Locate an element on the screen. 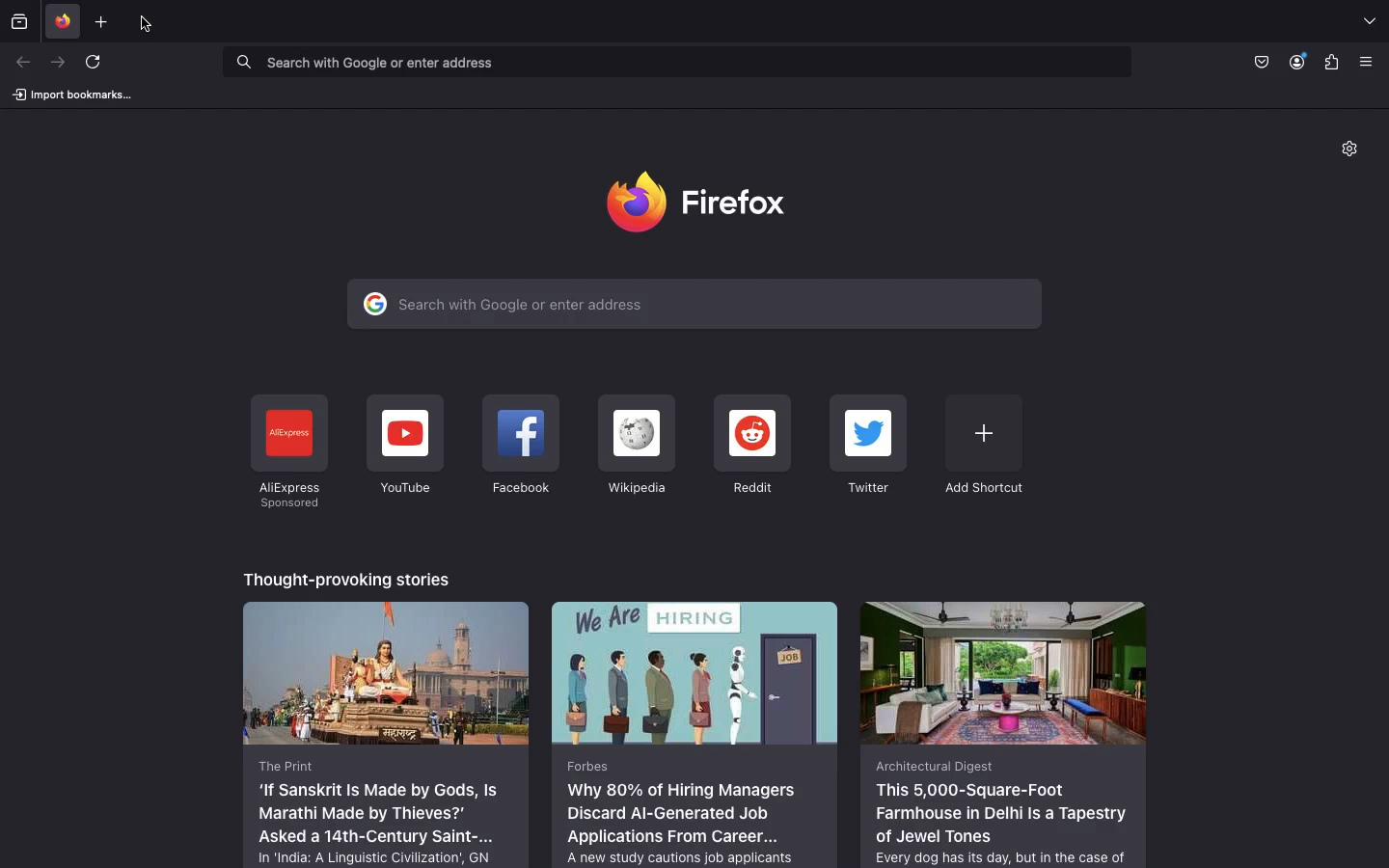  Youtube is located at coordinates (404, 446).